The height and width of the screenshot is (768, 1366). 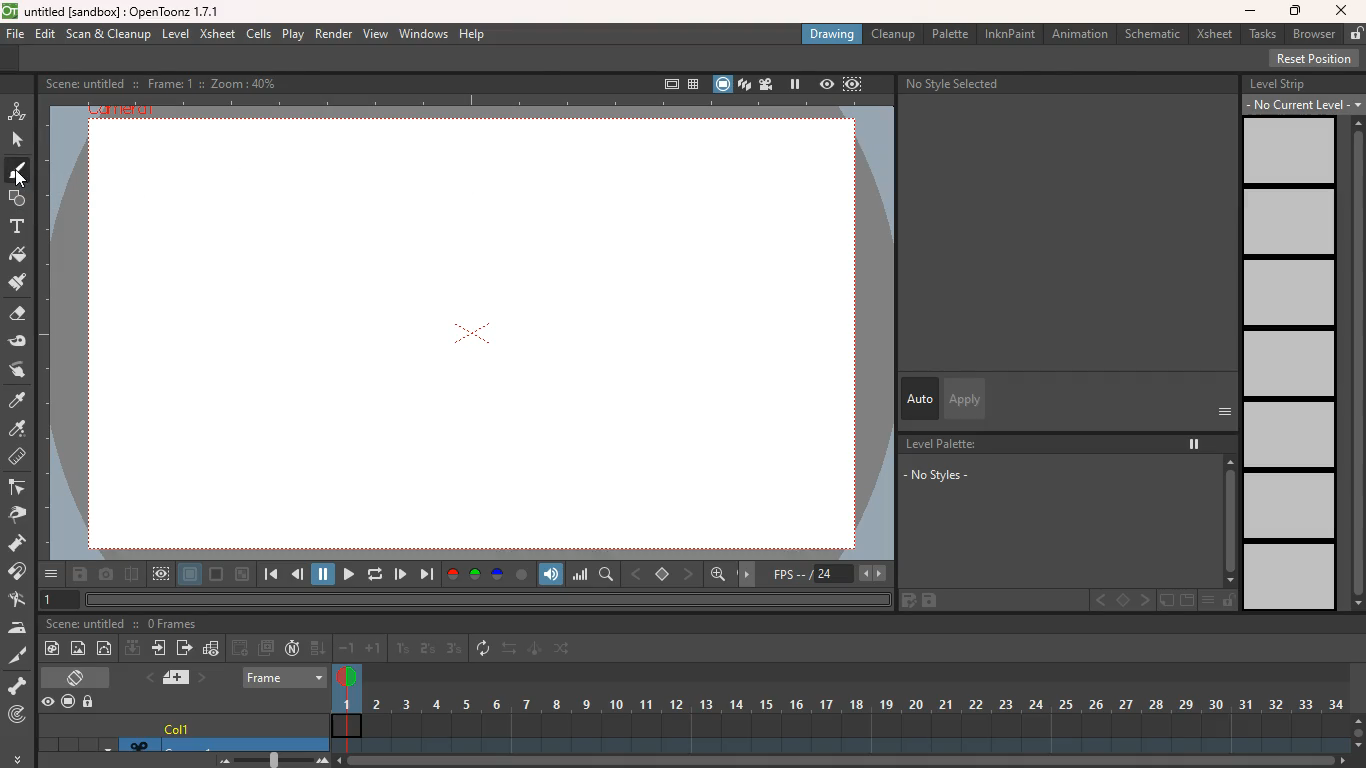 What do you see at coordinates (1166, 601) in the screenshot?
I see `new page` at bounding box center [1166, 601].